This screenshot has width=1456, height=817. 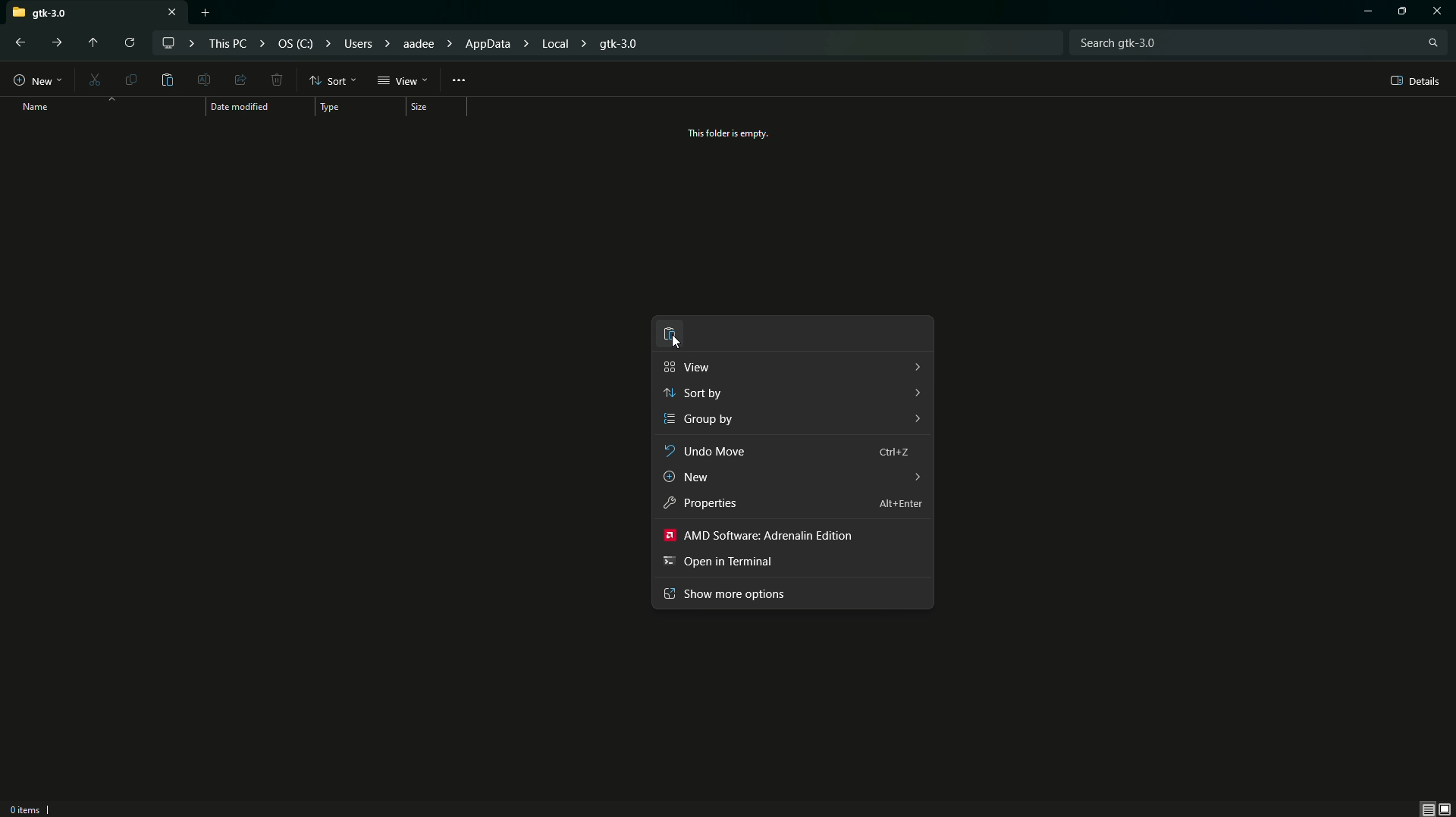 What do you see at coordinates (794, 502) in the screenshot?
I see `Properties` at bounding box center [794, 502].